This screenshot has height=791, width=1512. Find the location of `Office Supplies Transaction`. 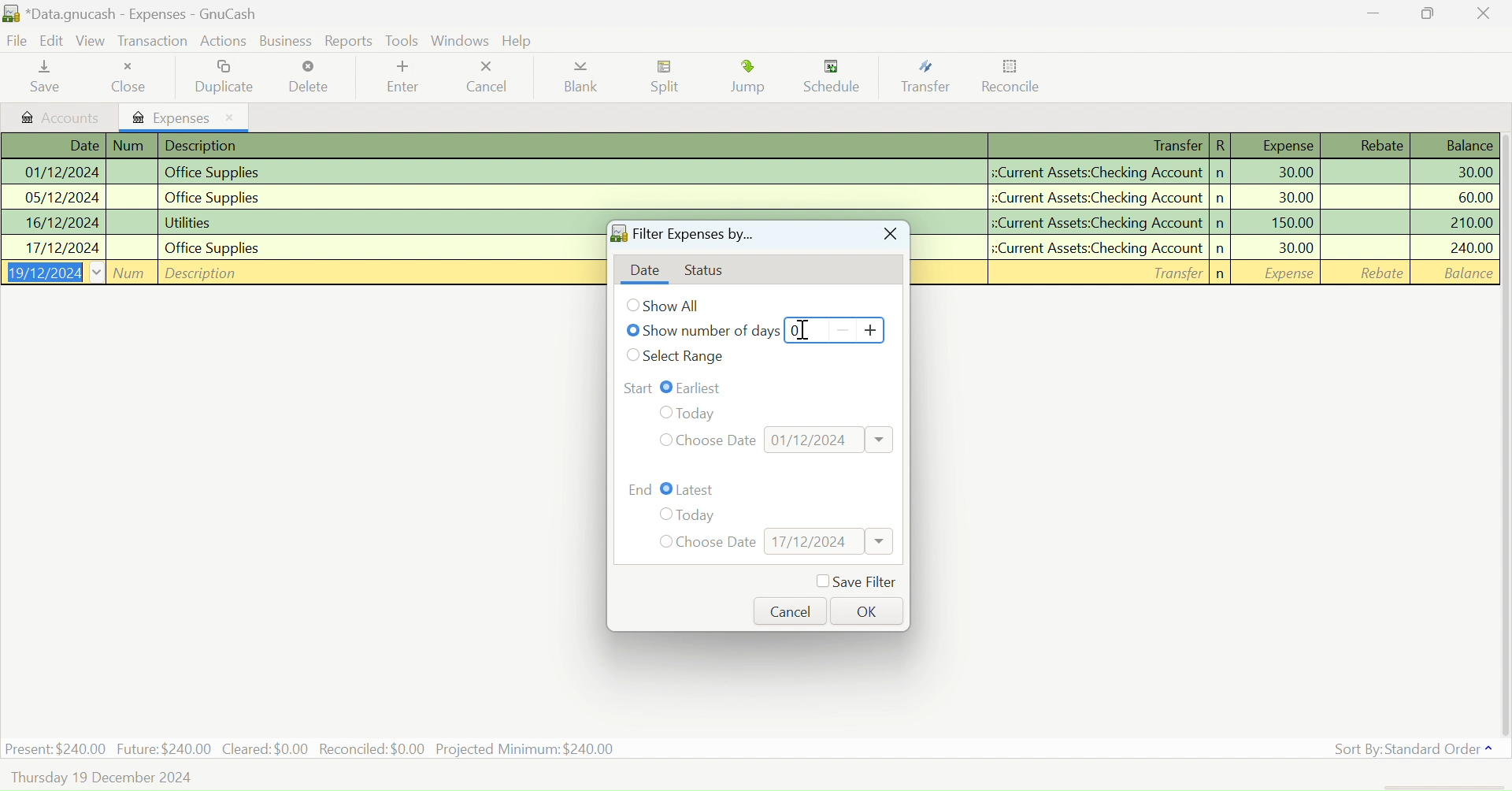

Office Supplies Transaction is located at coordinates (748, 173).